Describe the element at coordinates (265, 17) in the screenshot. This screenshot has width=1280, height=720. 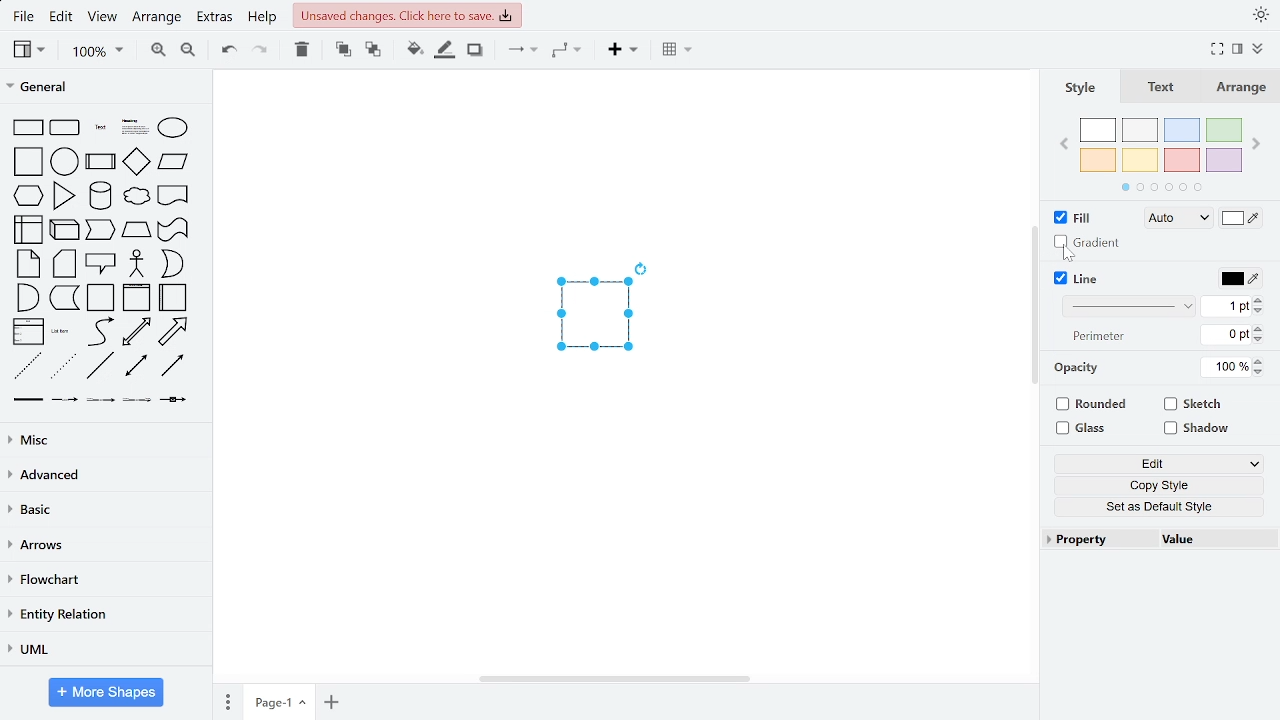
I see `help` at that location.